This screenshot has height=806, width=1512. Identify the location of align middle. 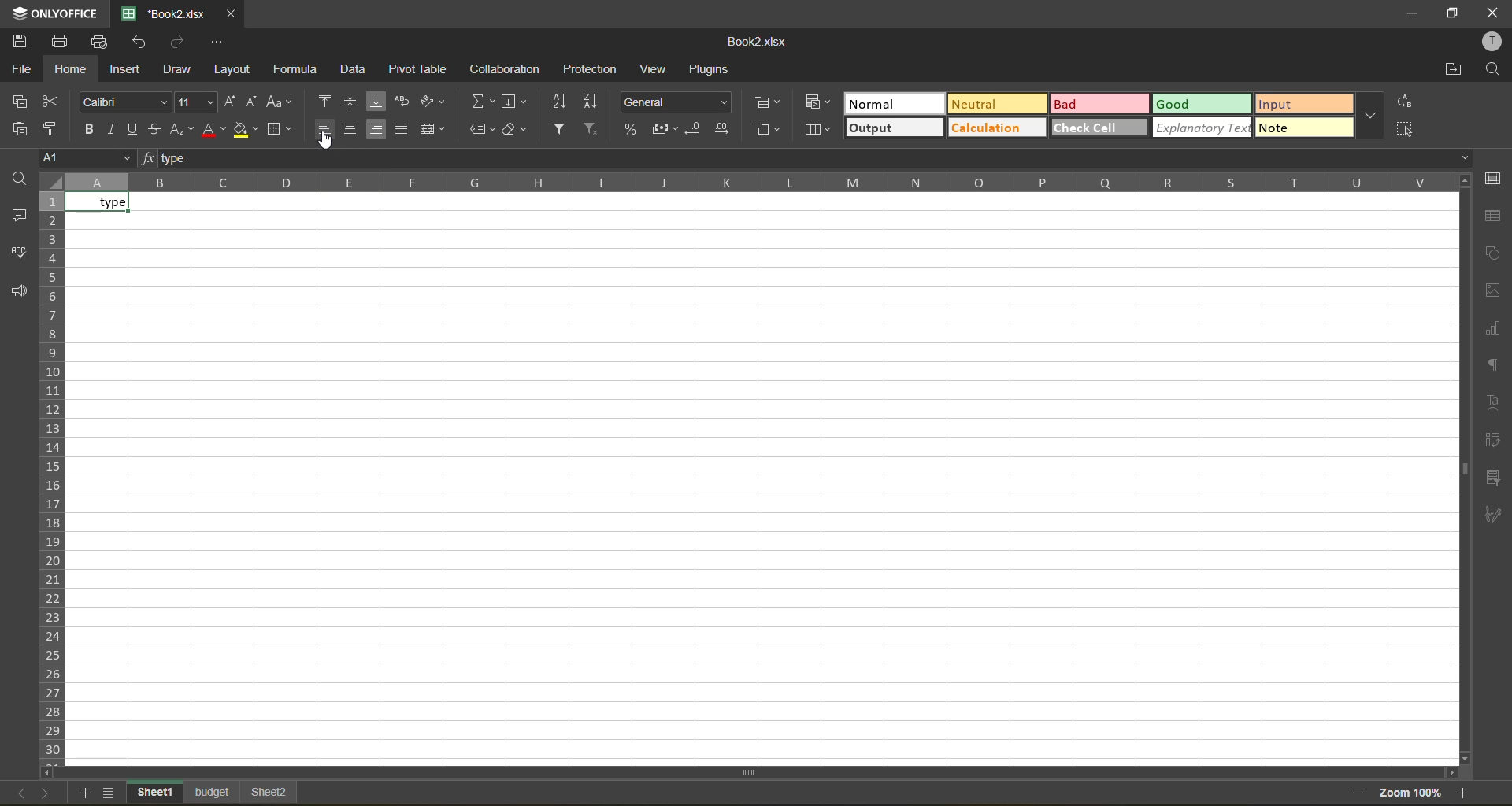
(354, 100).